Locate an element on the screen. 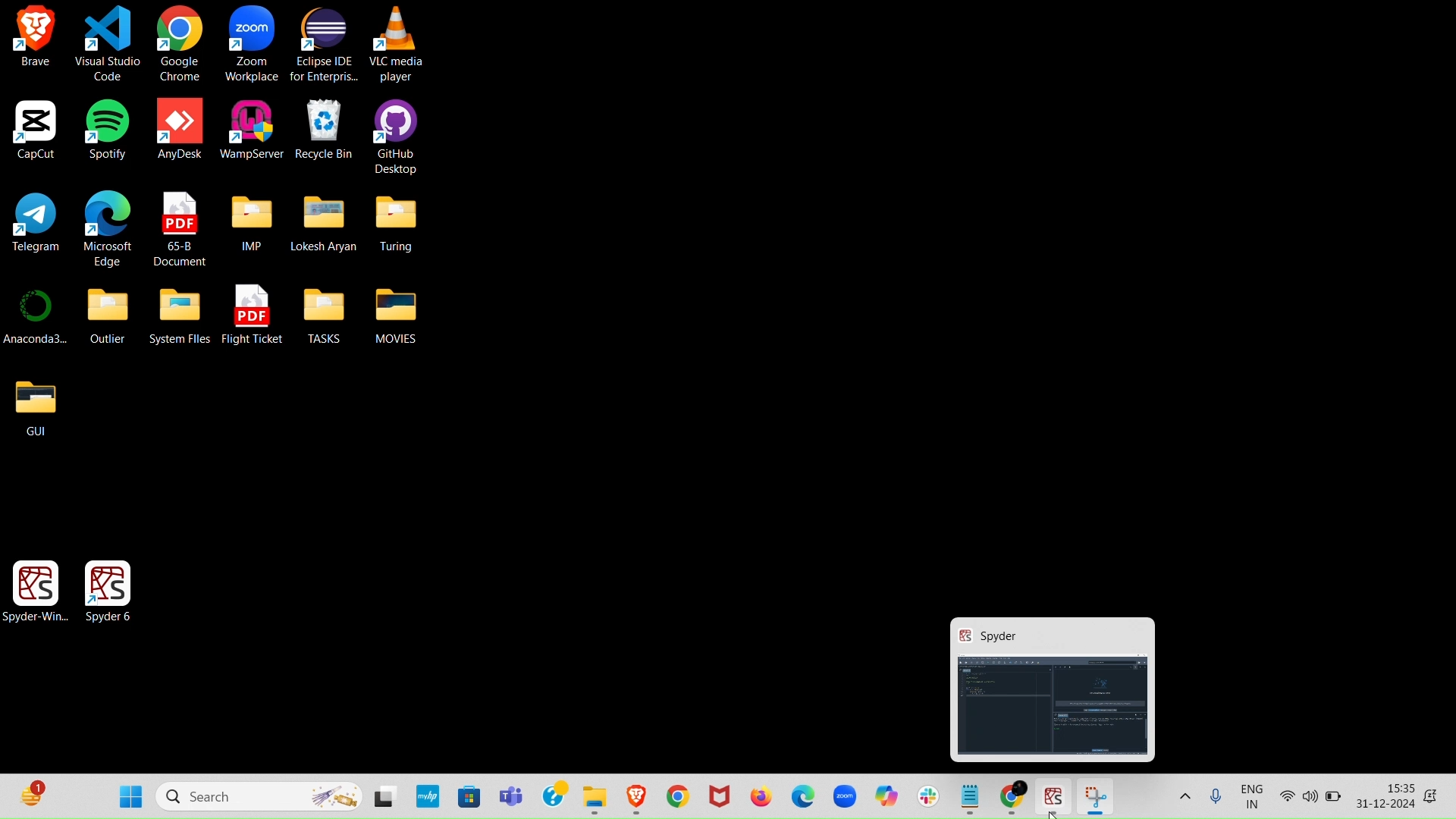  GitHub desktop is located at coordinates (395, 135).